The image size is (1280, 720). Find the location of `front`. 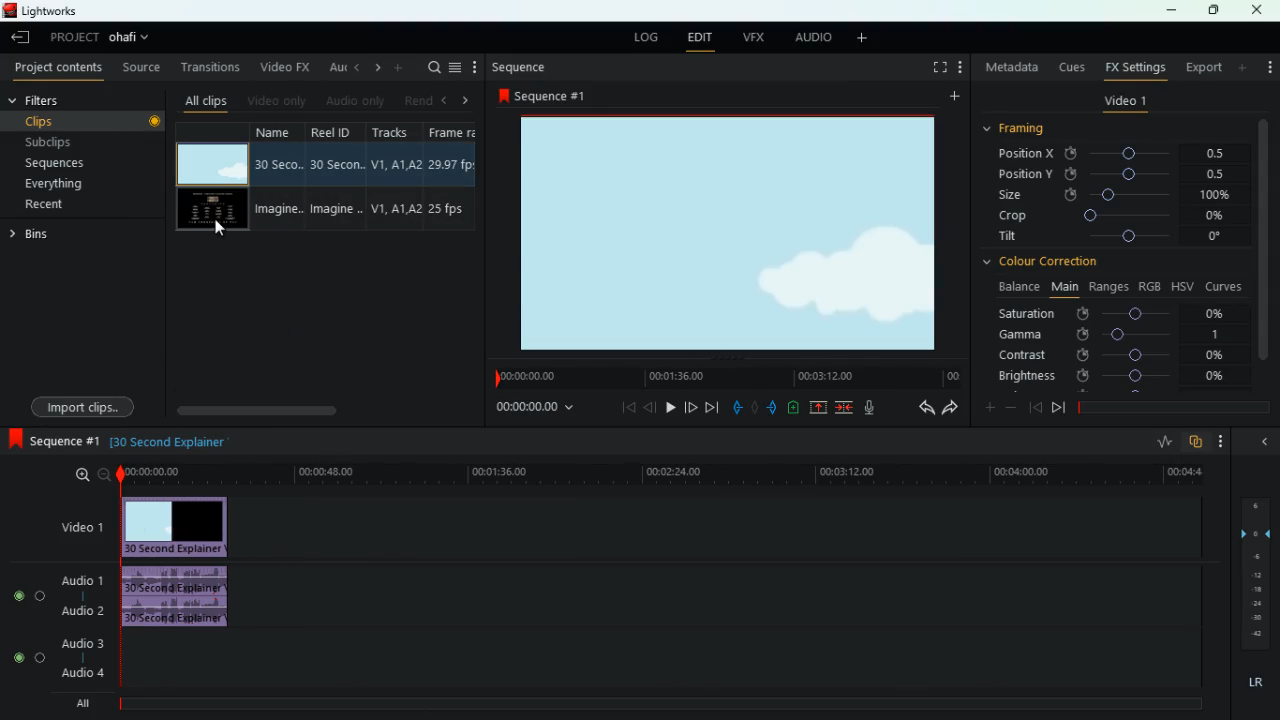

front is located at coordinates (689, 405).